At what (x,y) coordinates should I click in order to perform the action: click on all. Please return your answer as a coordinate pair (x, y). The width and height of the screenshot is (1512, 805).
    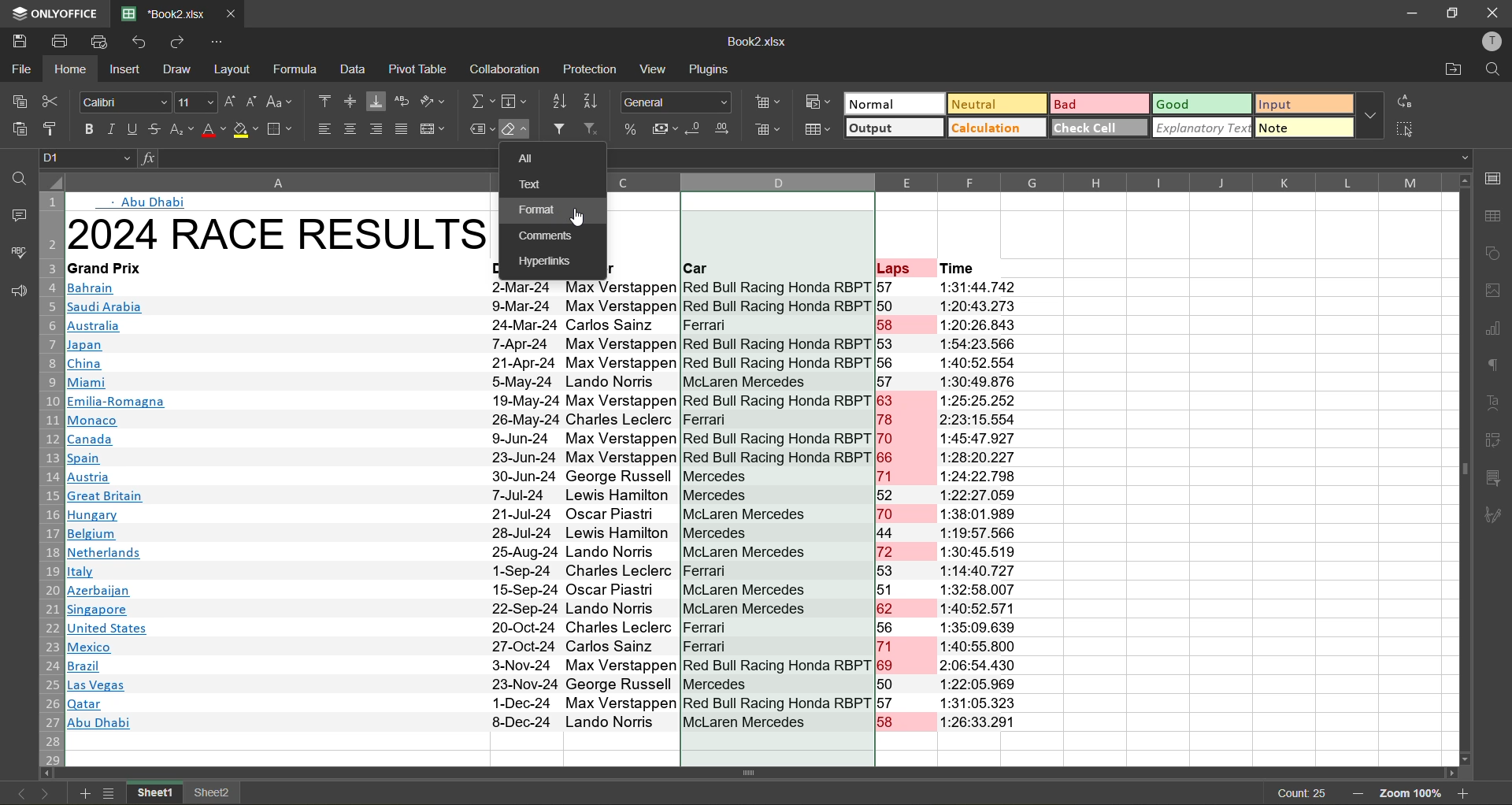
    Looking at the image, I should click on (532, 158).